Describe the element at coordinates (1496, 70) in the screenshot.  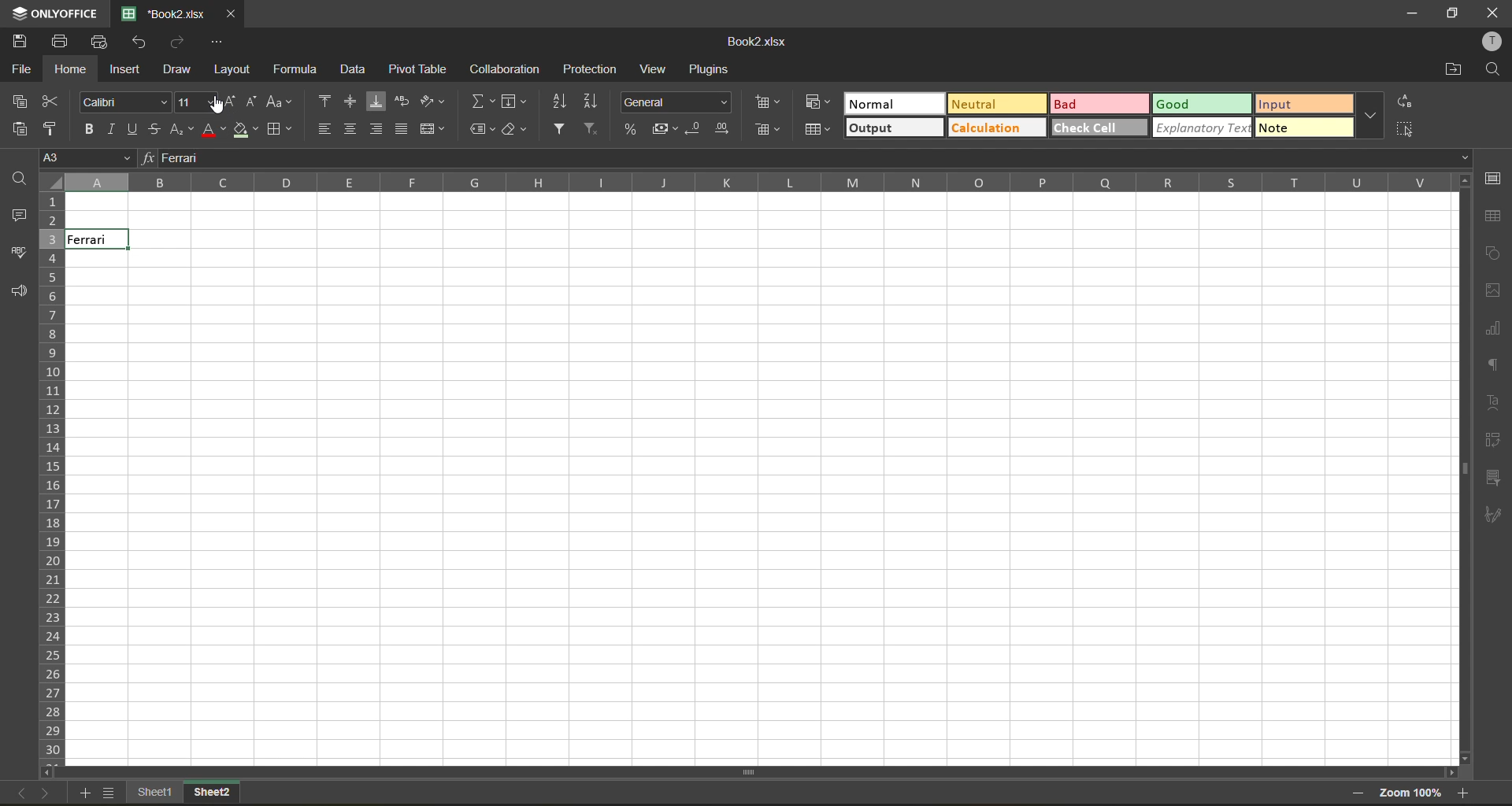
I see `find` at that location.